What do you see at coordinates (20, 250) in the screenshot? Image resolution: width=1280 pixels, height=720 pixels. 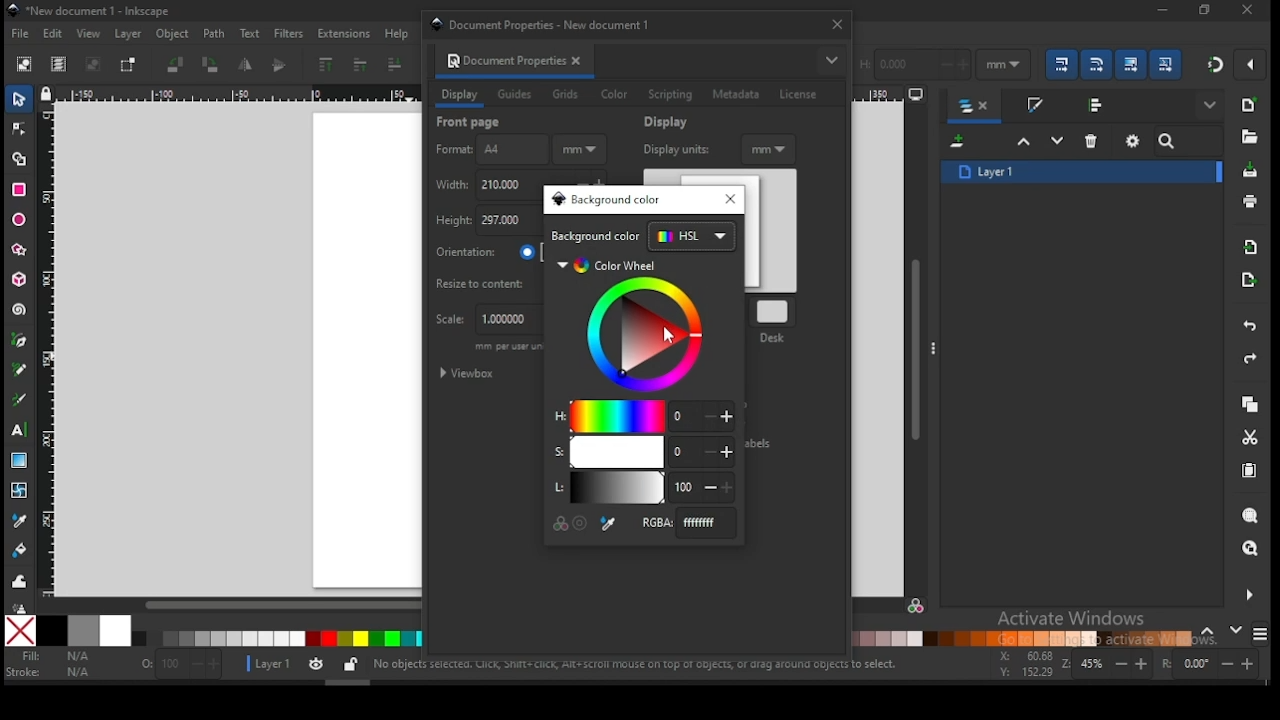 I see `star/polygon tool` at bounding box center [20, 250].